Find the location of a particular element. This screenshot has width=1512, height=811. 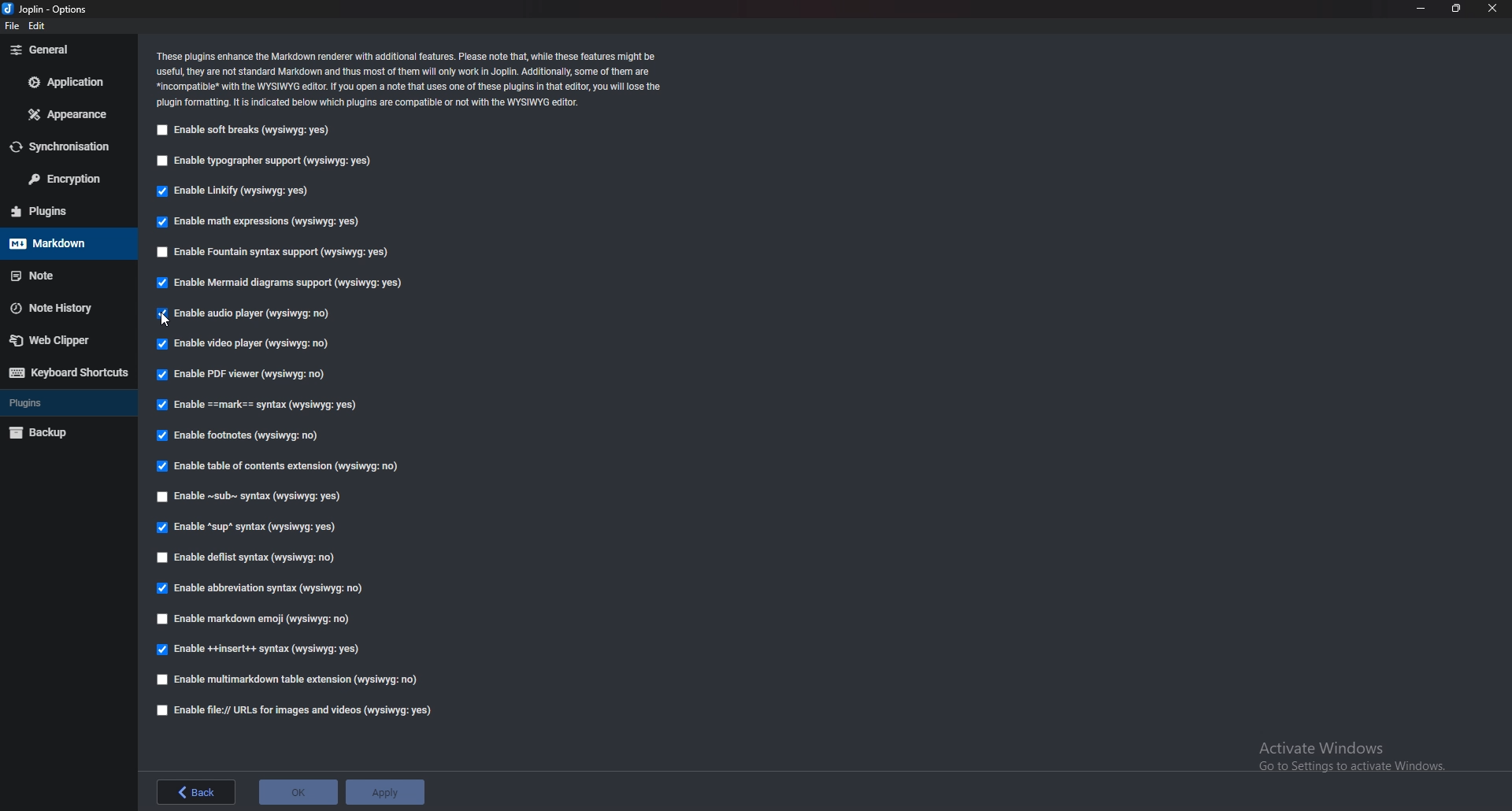

close is located at coordinates (1493, 9).